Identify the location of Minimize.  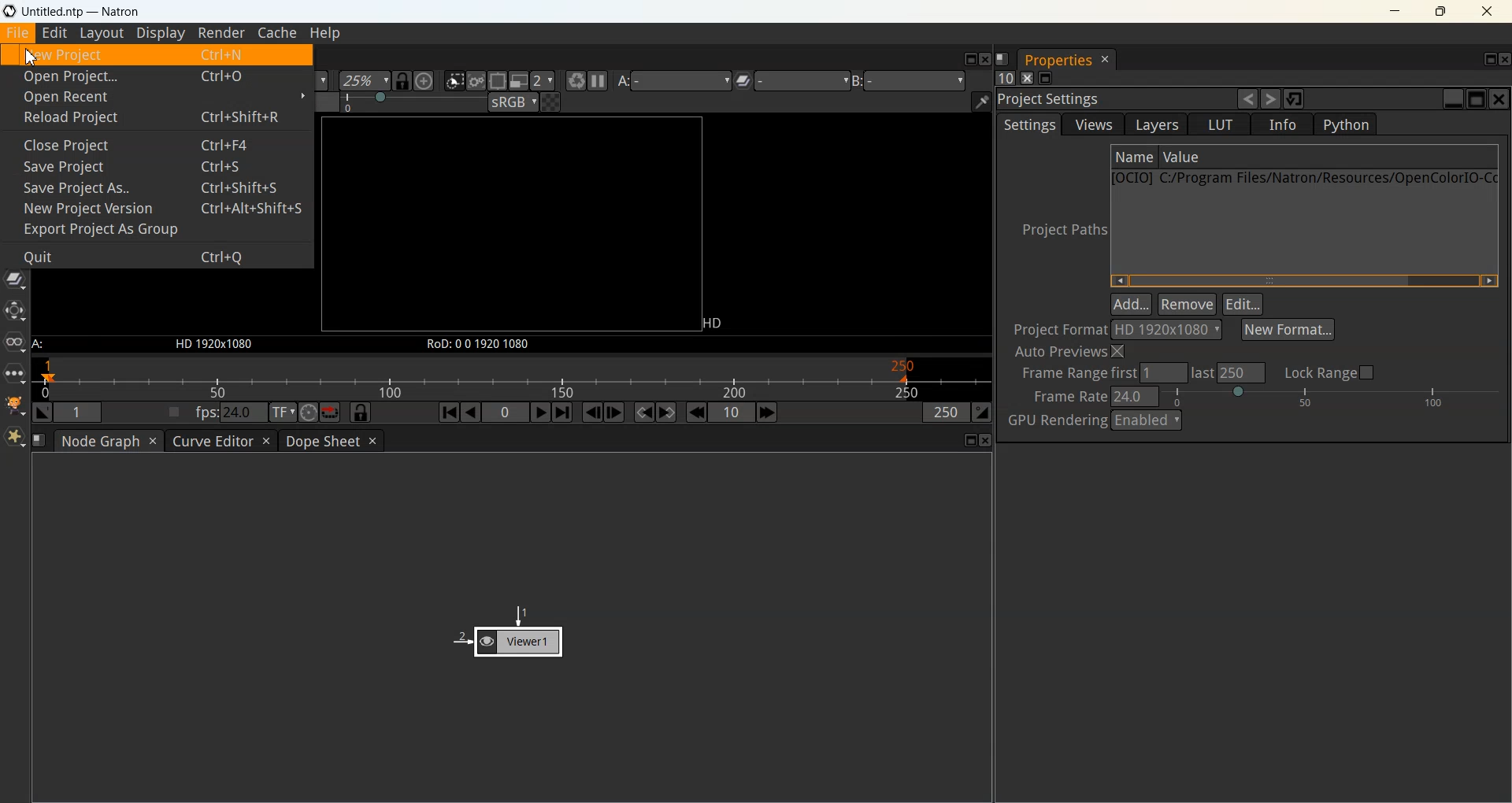
(1455, 99).